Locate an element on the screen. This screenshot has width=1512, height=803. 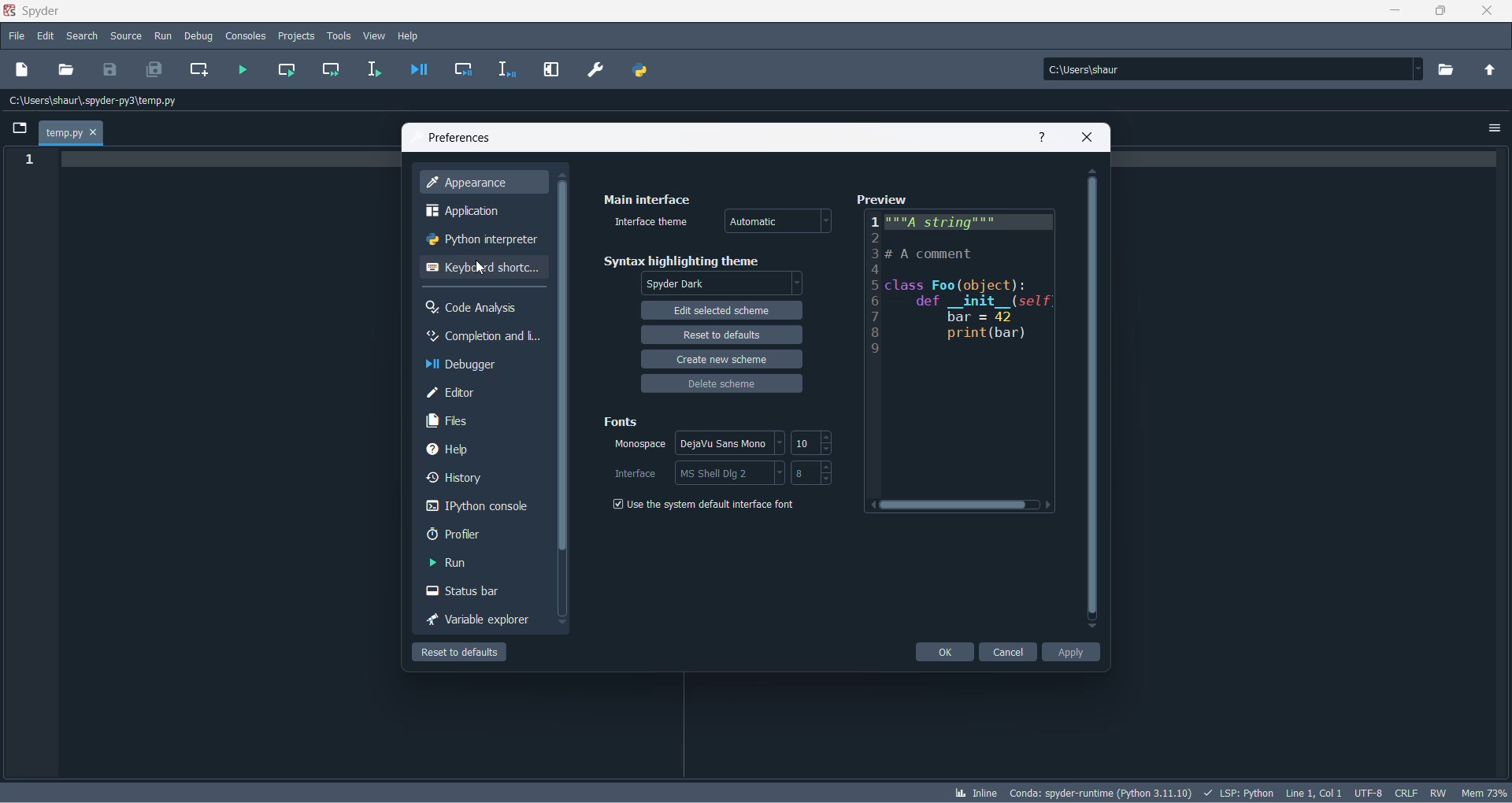
save is located at coordinates (110, 69).